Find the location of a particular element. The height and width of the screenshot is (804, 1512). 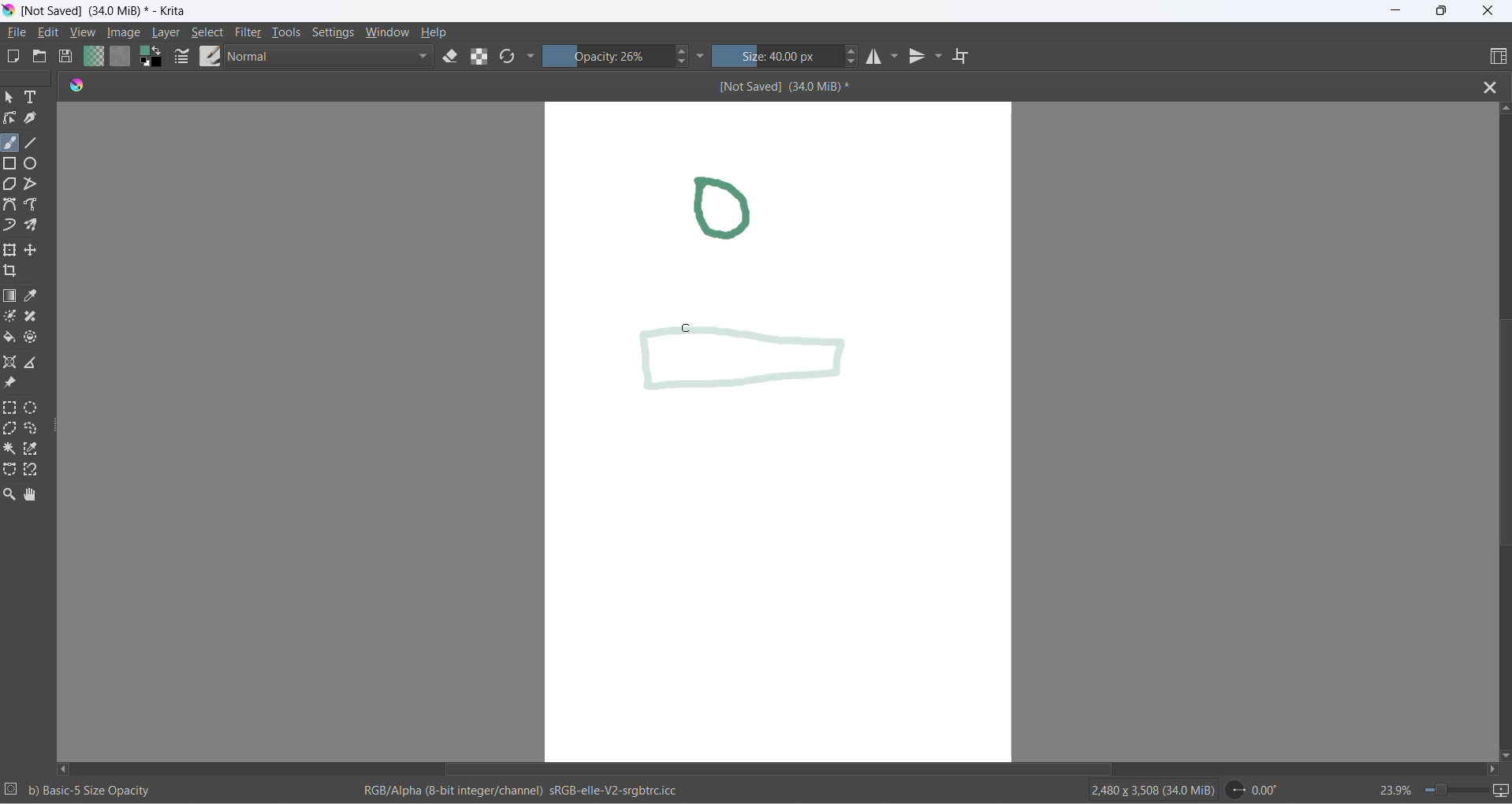

view is located at coordinates (84, 32).